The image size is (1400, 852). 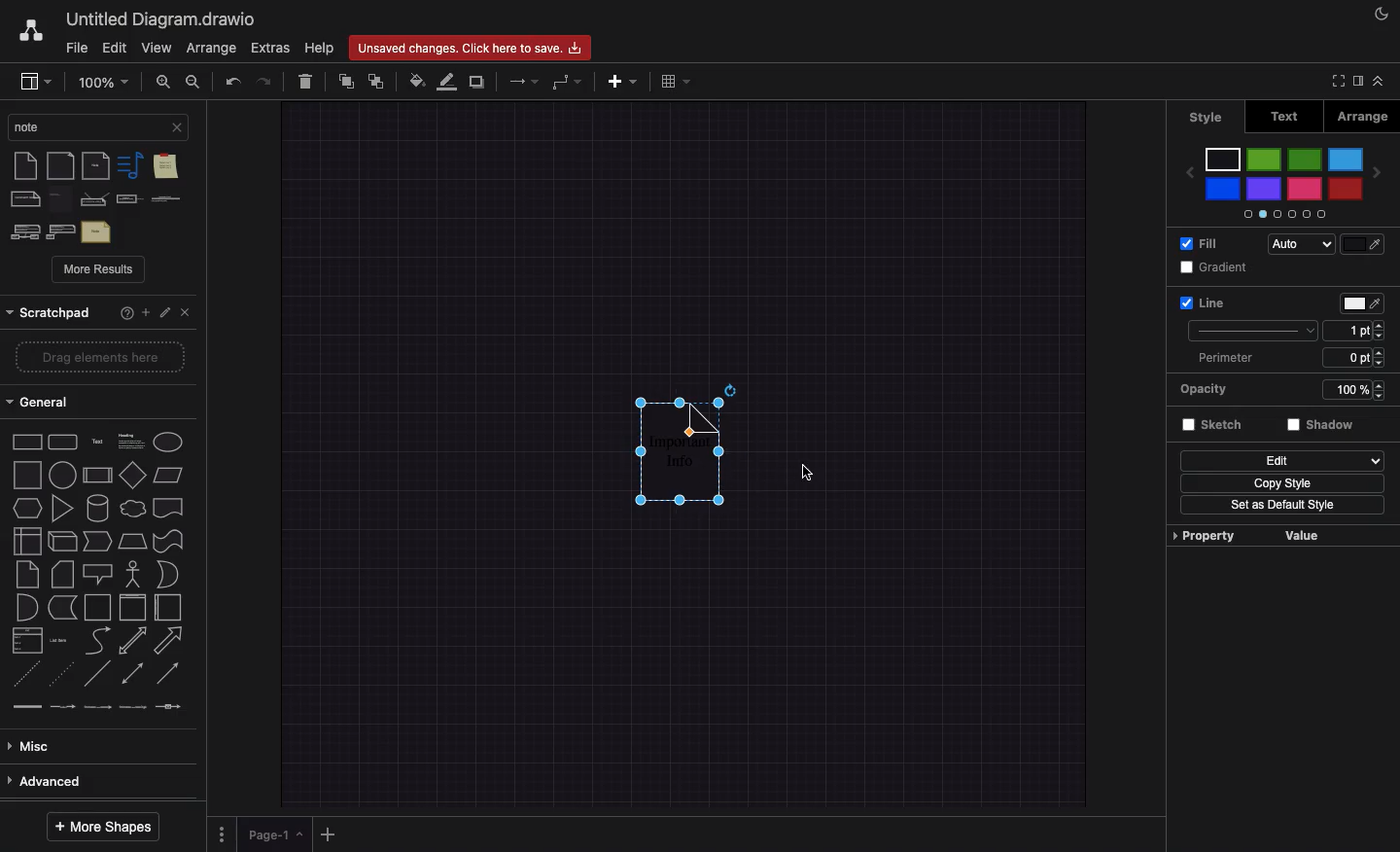 What do you see at coordinates (25, 576) in the screenshot?
I see `note` at bounding box center [25, 576].